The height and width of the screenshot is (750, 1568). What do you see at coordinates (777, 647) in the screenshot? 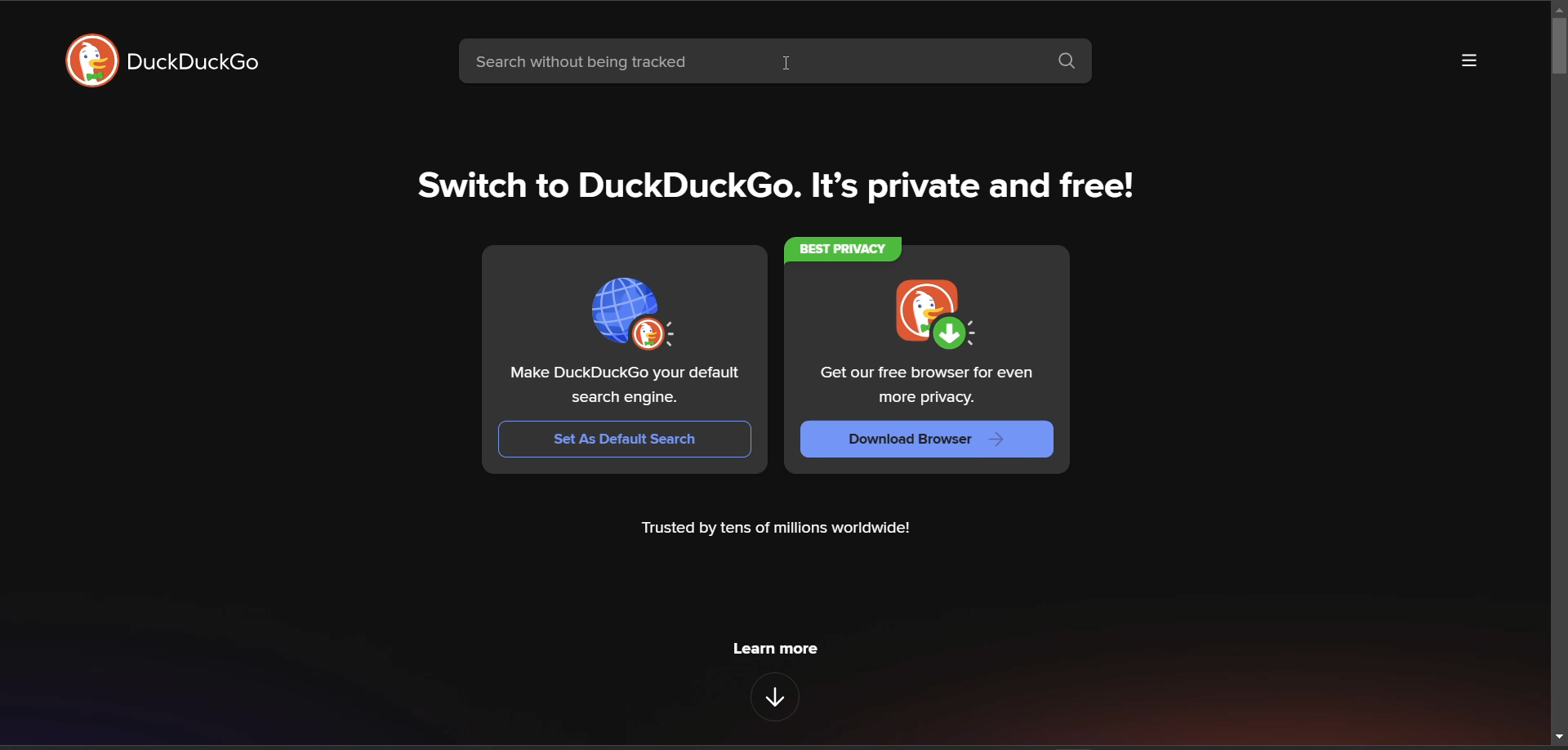
I see `learn more` at bounding box center [777, 647].